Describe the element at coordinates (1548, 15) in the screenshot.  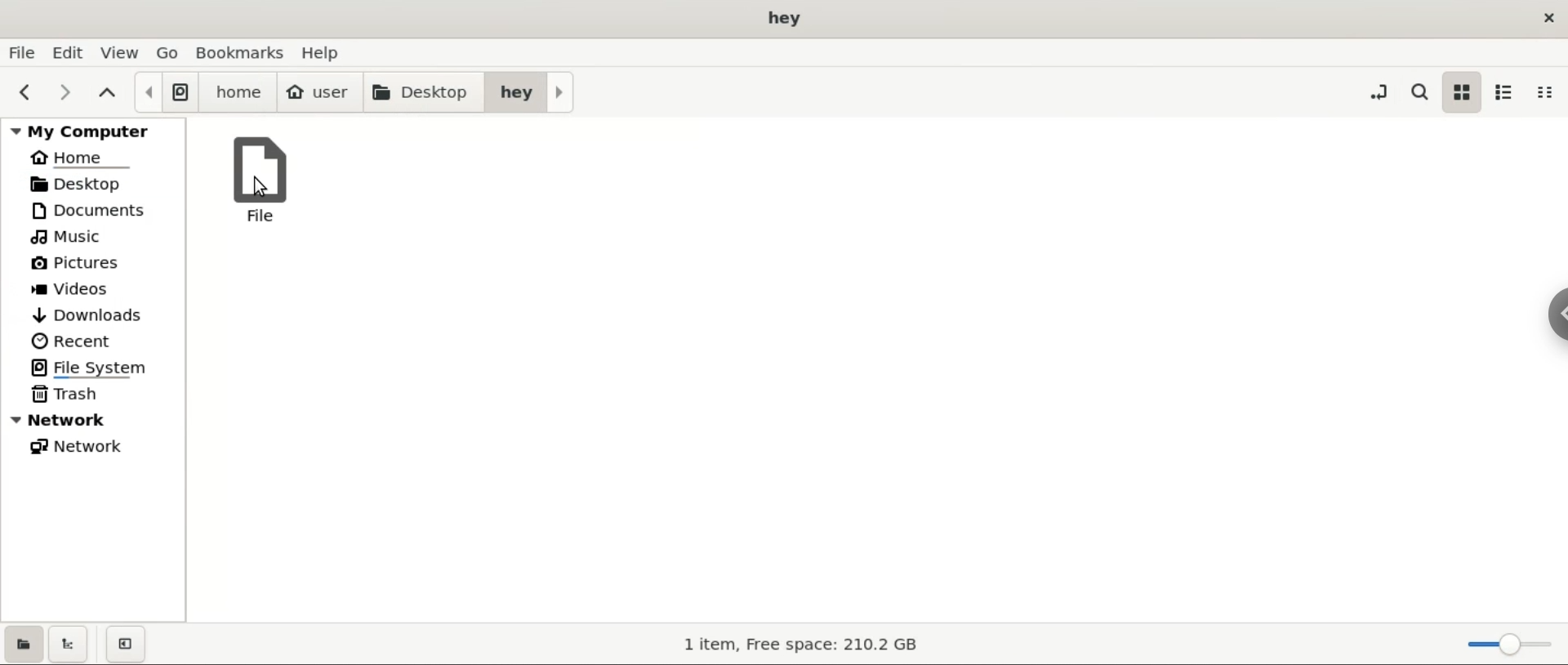
I see `close` at that location.